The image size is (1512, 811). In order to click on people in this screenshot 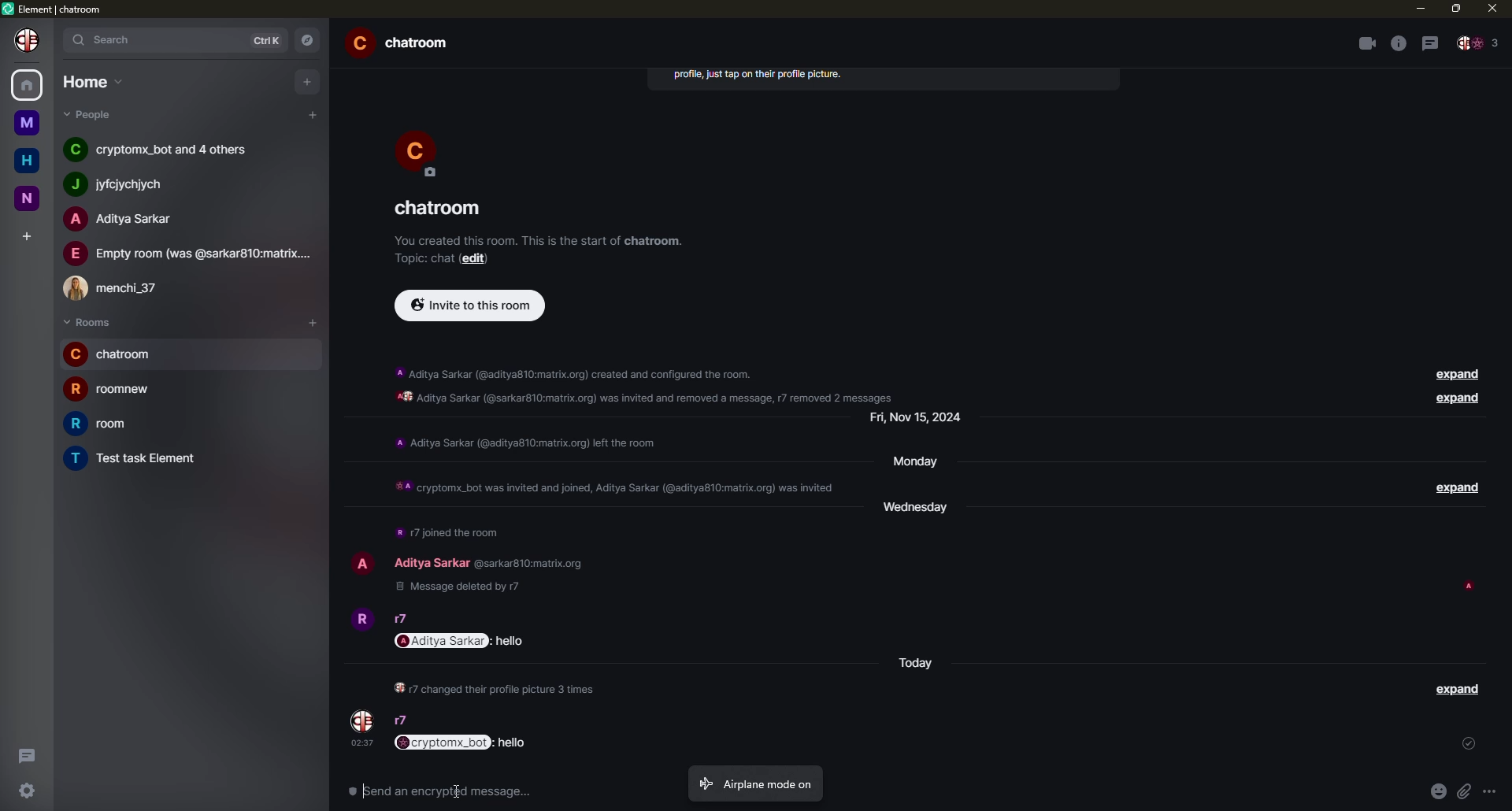, I will do `click(1480, 43)`.